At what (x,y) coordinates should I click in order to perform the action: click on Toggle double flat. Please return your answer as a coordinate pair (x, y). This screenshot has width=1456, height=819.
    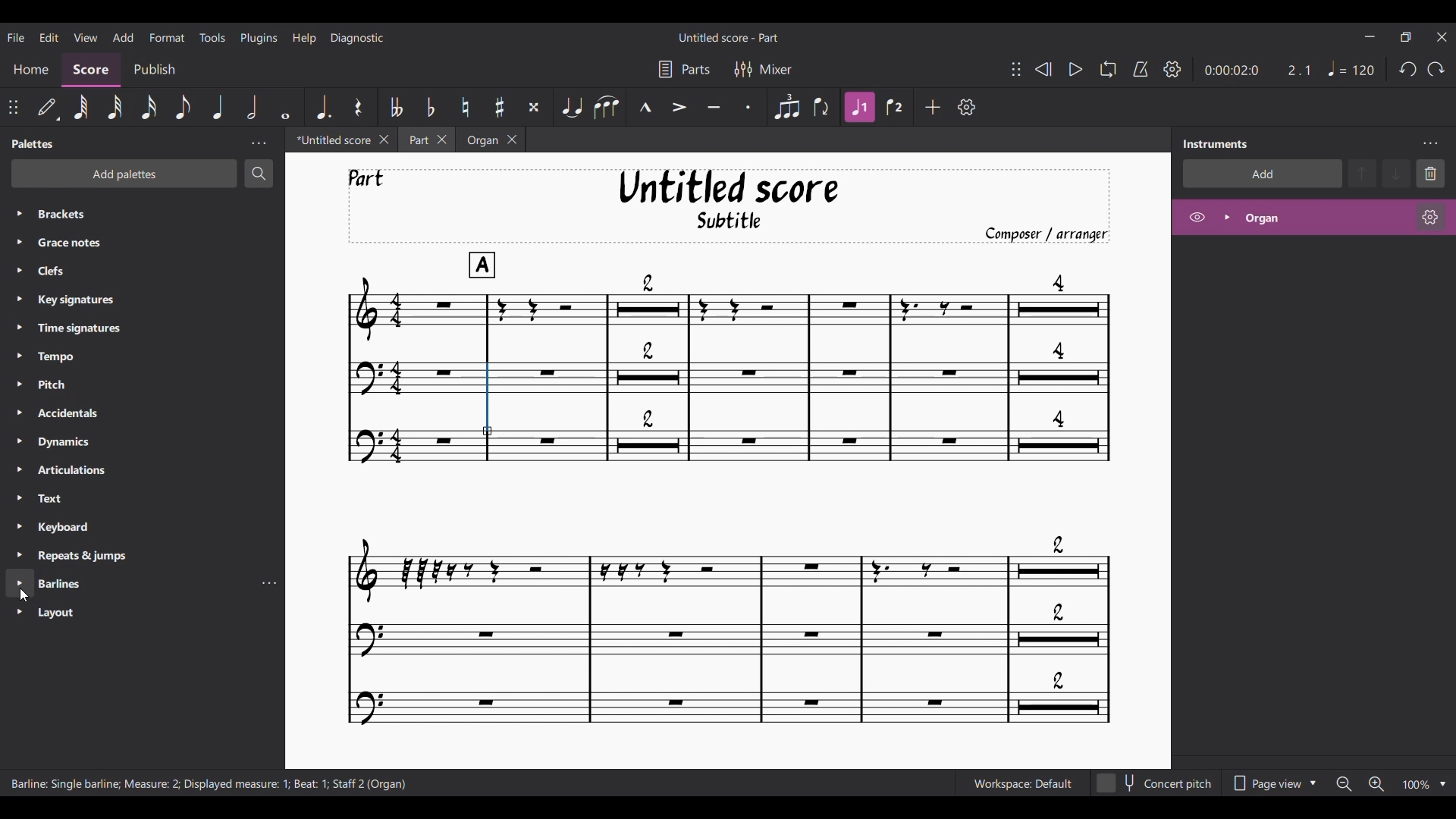
    Looking at the image, I should click on (397, 106).